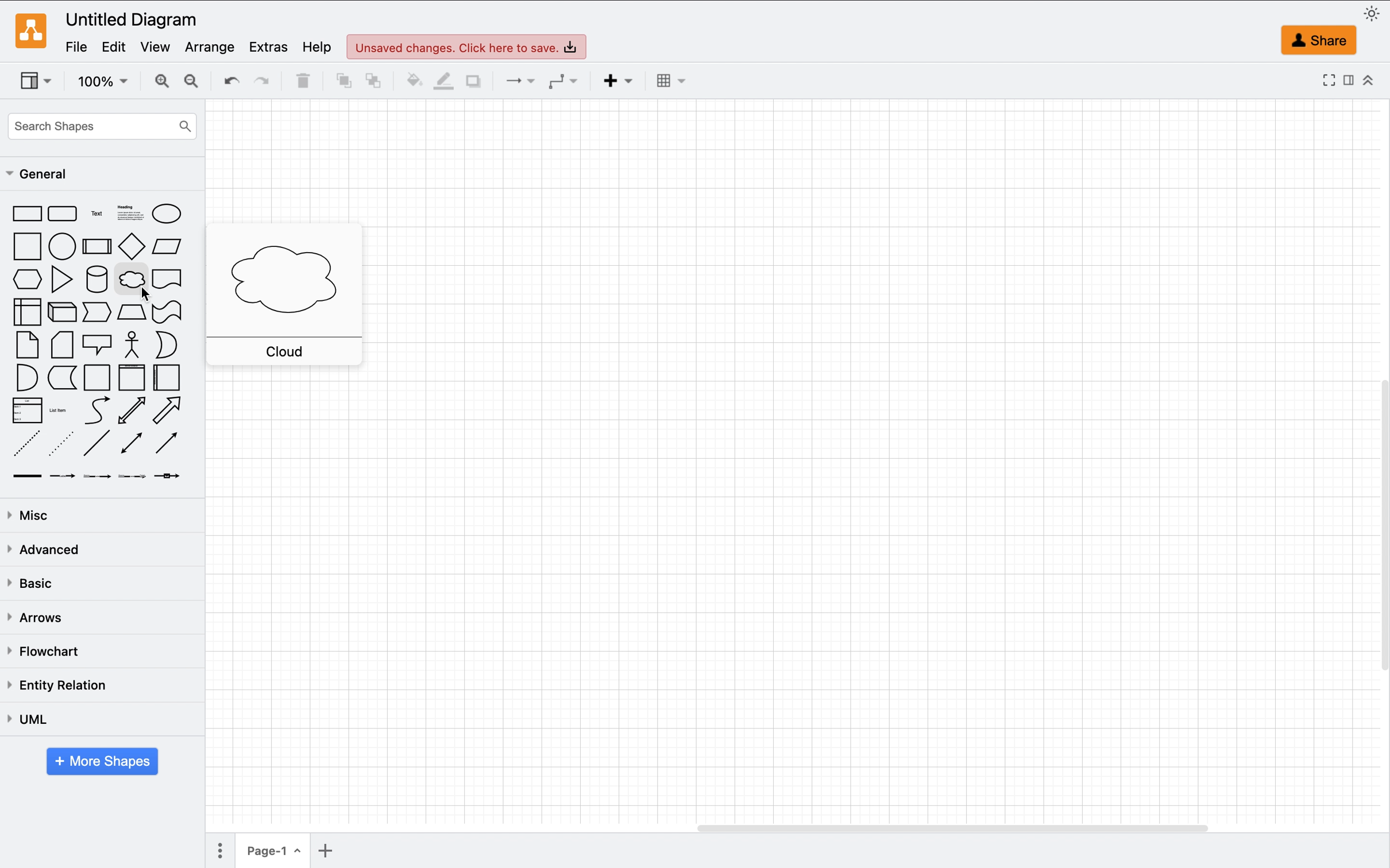  What do you see at coordinates (39, 515) in the screenshot?
I see `misc` at bounding box center [39, 515].